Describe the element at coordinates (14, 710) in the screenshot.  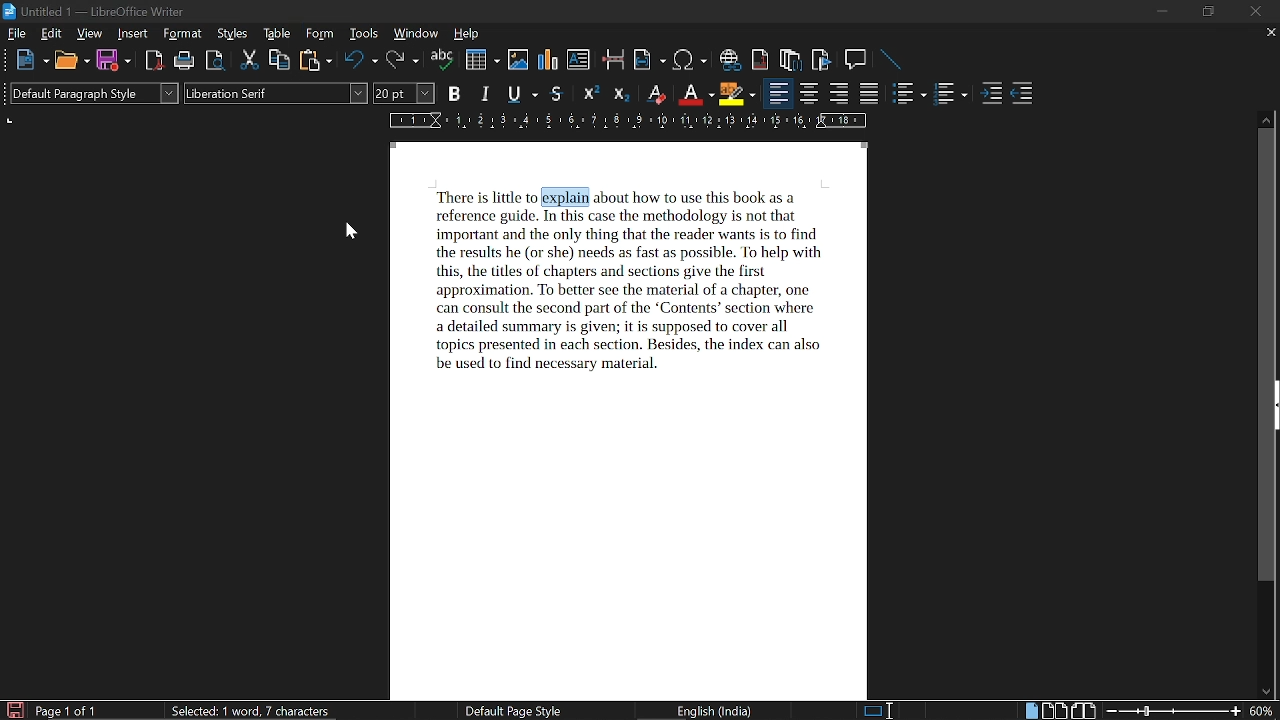
I see `save` at that location.